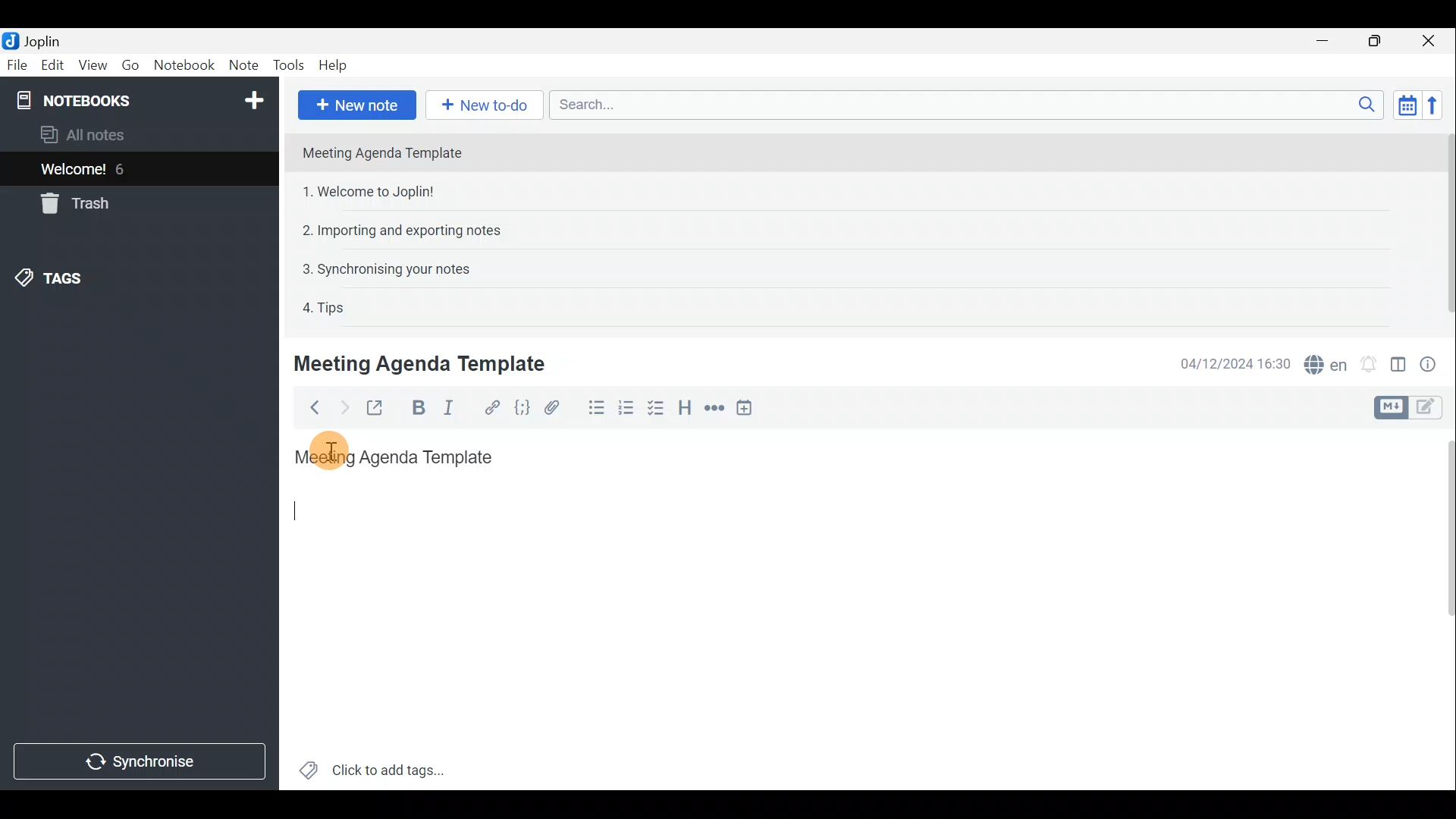 Image resolution: width=1456 pixels, height=819 pixels. What do you see at coordinates (962, 104) in the screenshot?
I see `Search bar` at bounding box center [962, 104].